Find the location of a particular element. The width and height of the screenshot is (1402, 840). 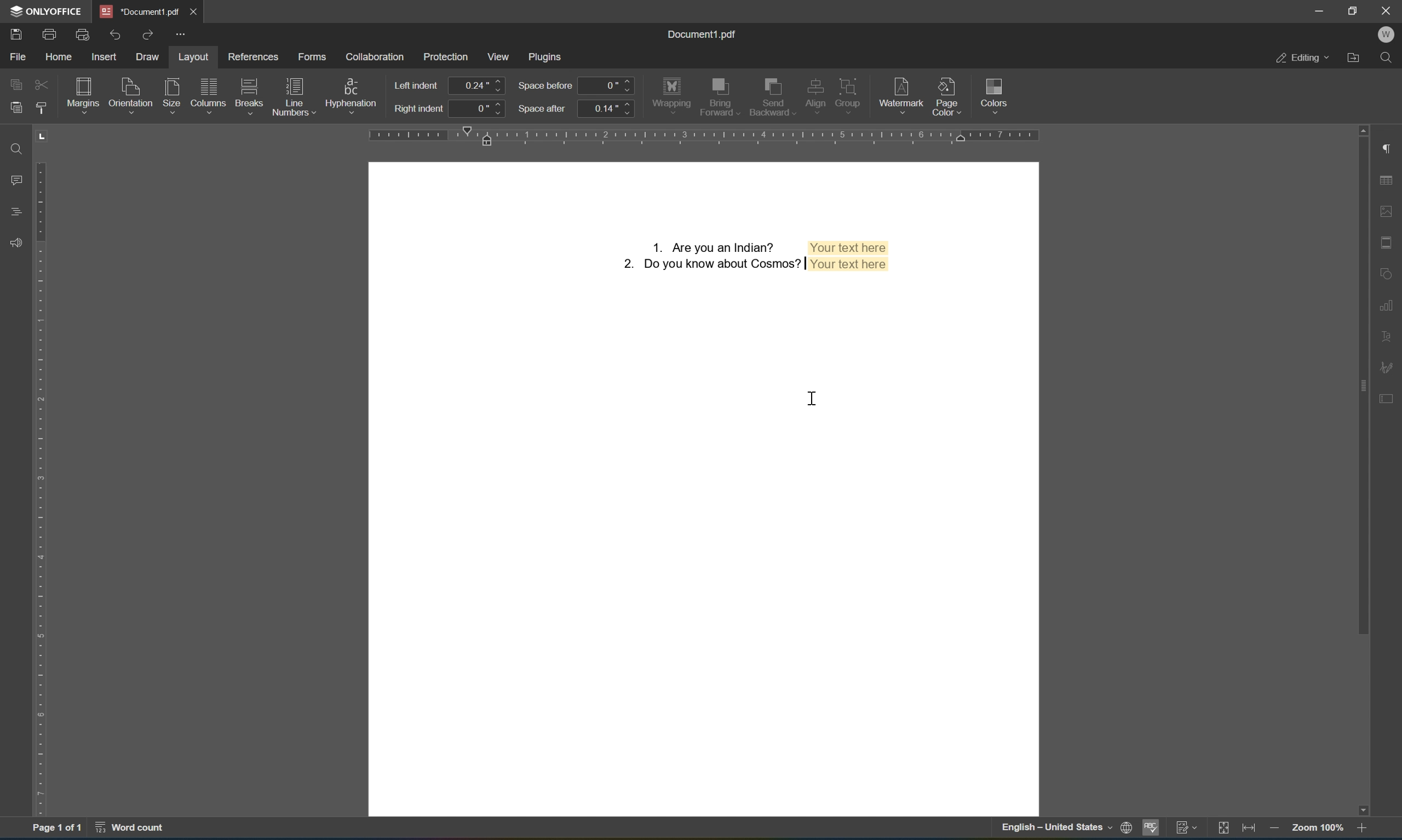

insert is located at coordinates (107, 57).